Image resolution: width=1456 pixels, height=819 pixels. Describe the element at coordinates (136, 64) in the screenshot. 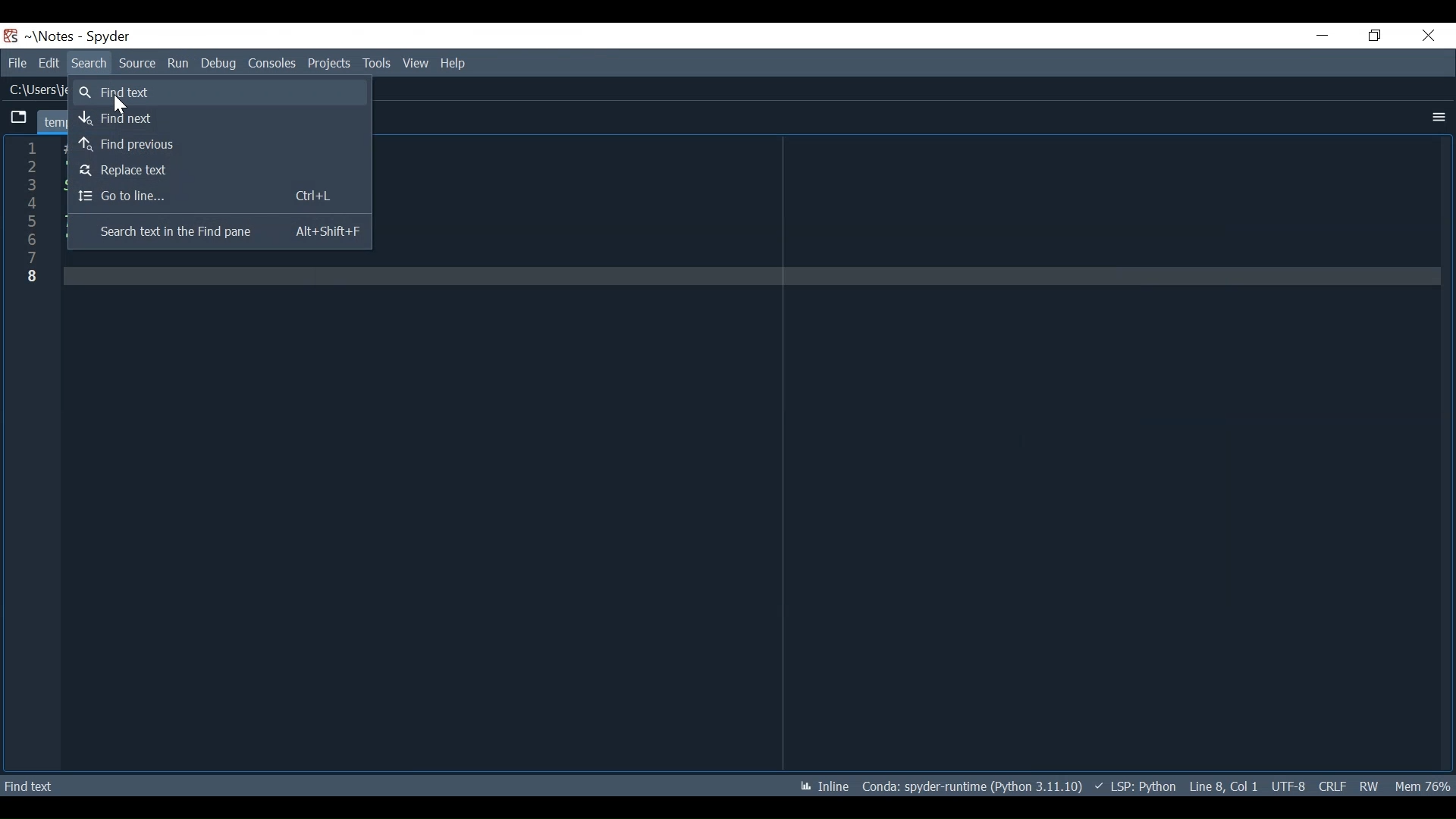

I see `Source` at that location.